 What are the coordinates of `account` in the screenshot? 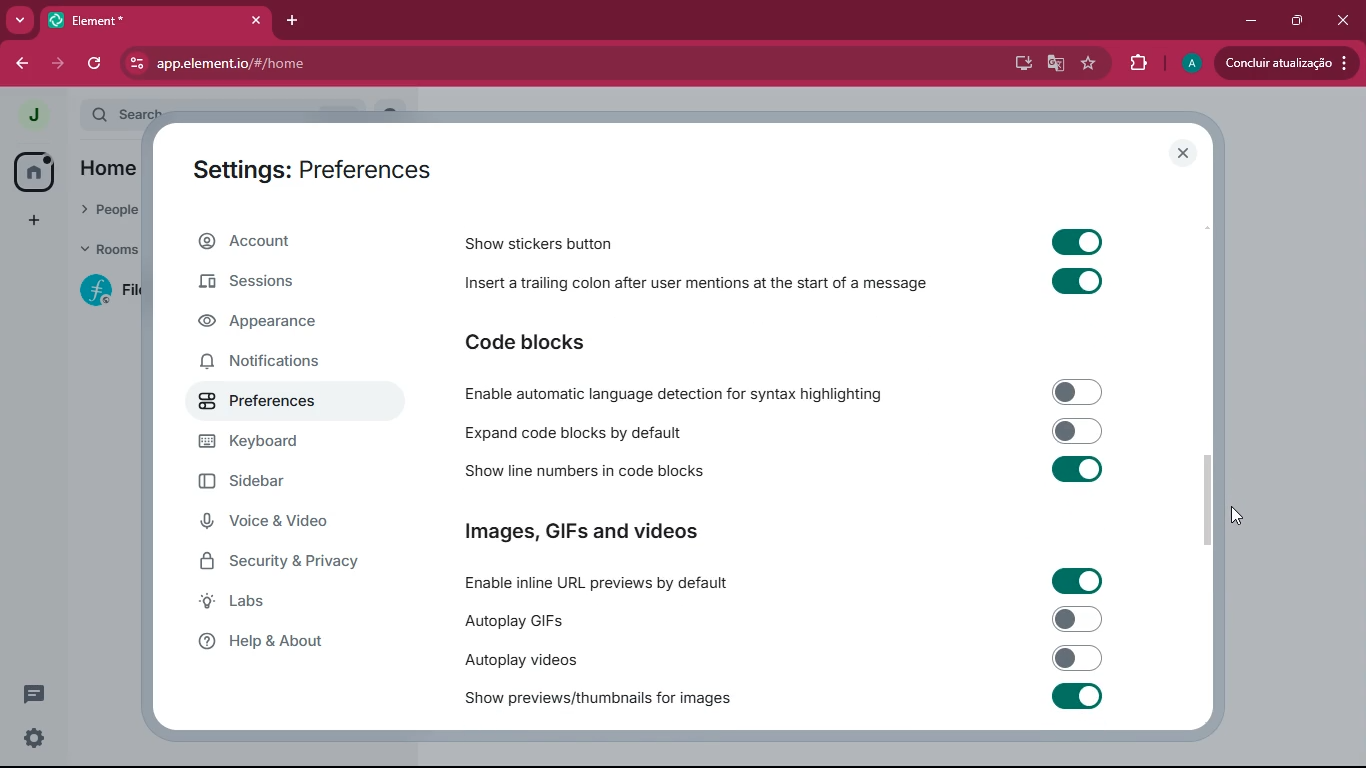 It's located at (277, 246).